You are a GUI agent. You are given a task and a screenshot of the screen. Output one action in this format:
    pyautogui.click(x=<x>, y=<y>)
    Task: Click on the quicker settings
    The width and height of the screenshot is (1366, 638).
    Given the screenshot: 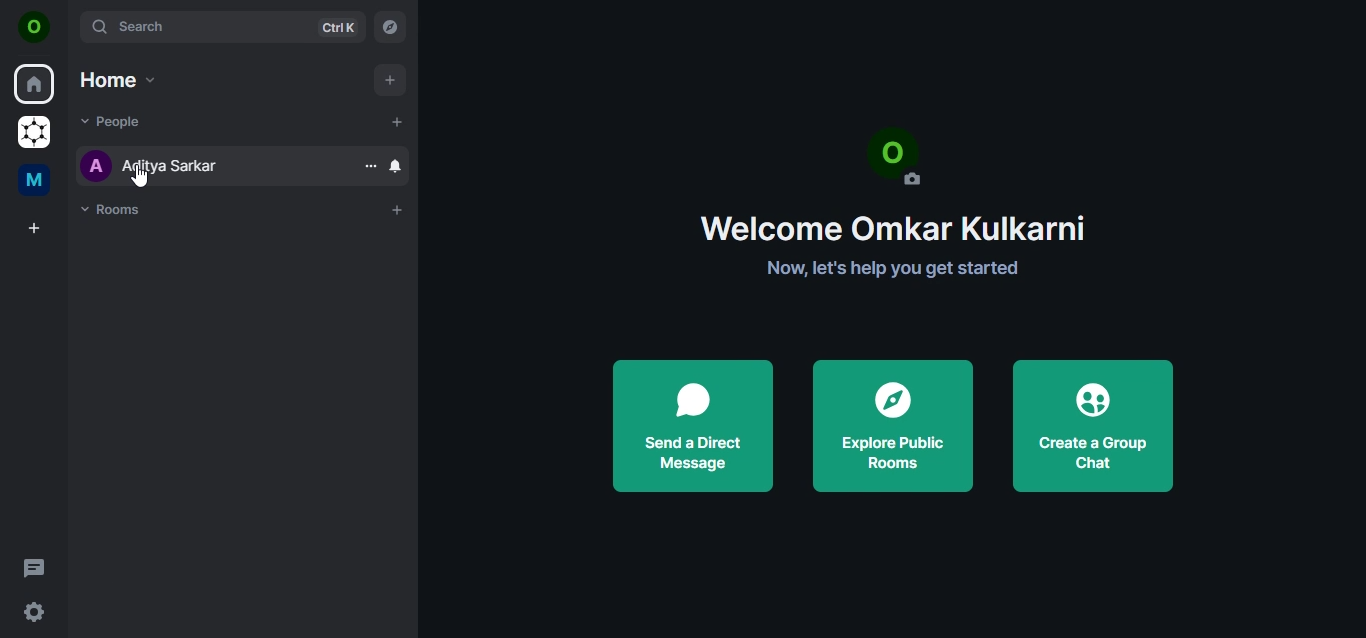 What is the action you would take?
    pyautogui.click(x=37, y=613)
    